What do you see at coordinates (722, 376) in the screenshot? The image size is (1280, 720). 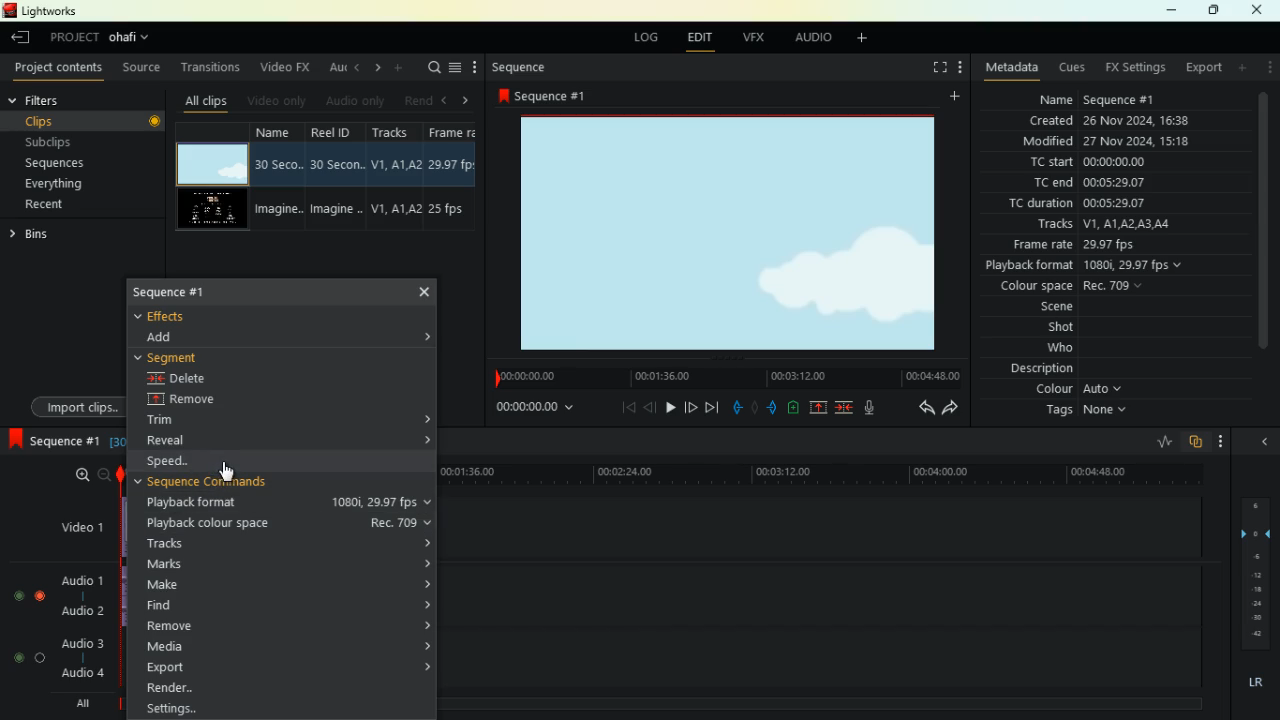 I see `time` at bounding box center [722, 376].